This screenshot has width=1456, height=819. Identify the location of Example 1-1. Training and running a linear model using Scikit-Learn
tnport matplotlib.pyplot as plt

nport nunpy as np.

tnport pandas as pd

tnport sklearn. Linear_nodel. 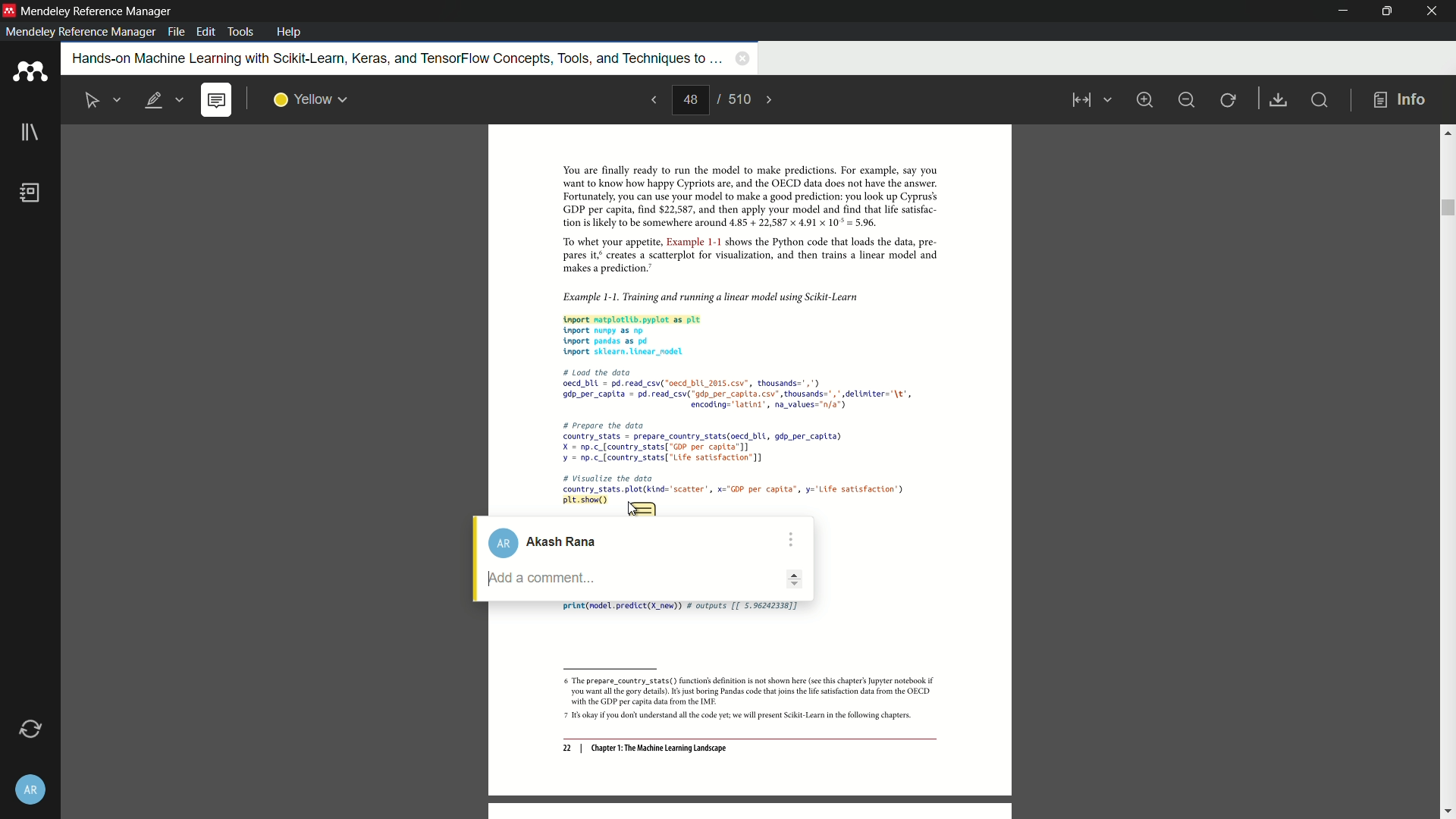
(740, 322).